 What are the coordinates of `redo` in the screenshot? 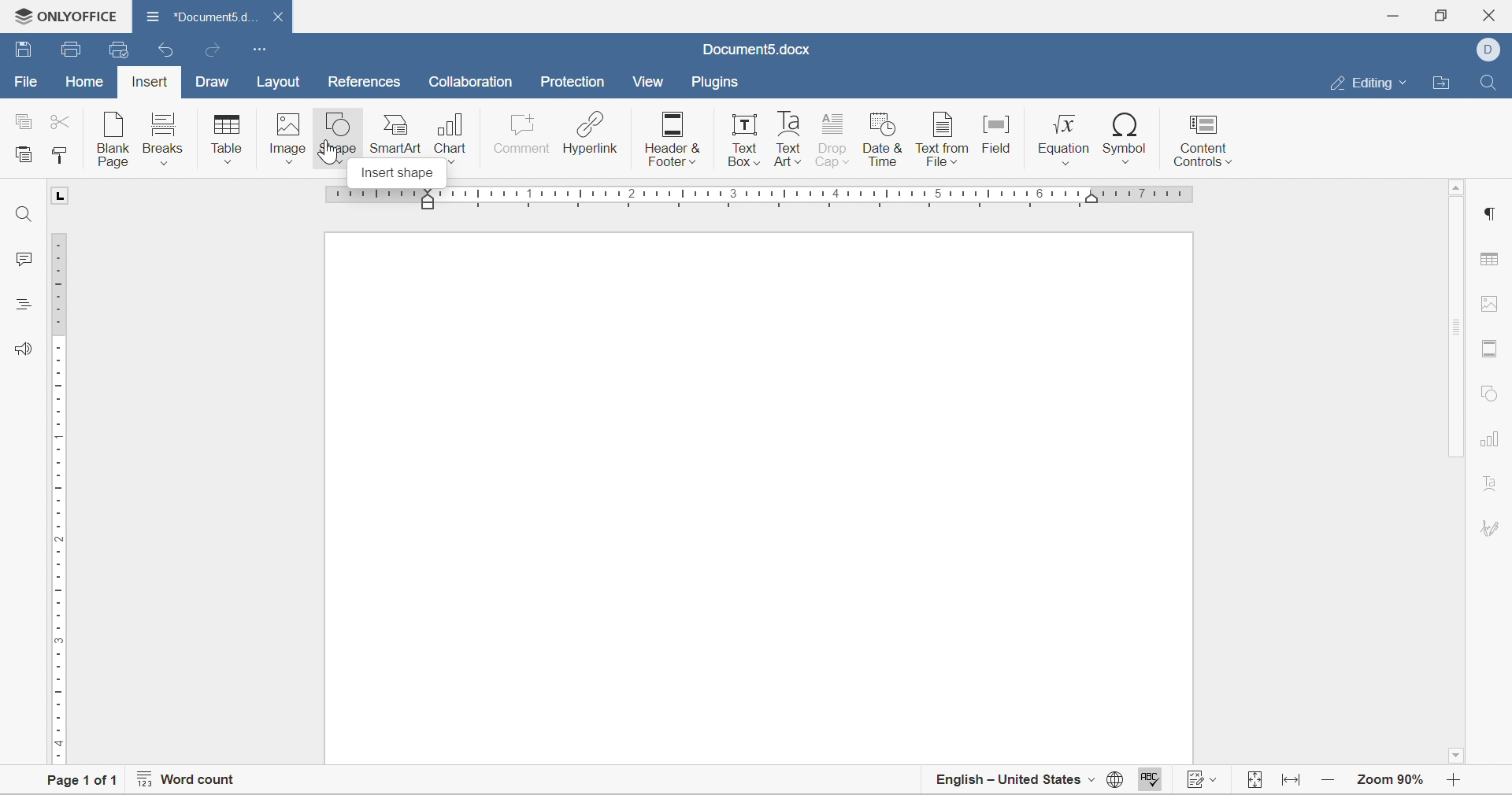 It's located at (215, 52).